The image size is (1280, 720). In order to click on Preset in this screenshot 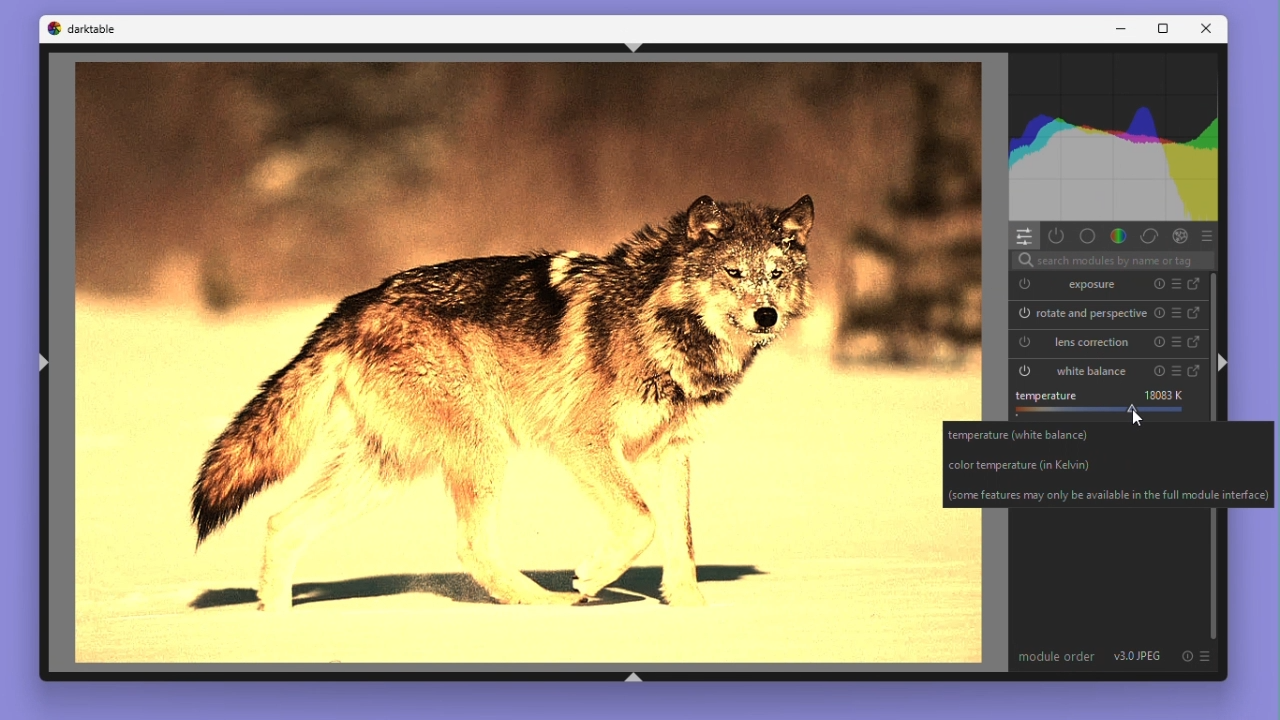, I will do `click(1180, 315)`.